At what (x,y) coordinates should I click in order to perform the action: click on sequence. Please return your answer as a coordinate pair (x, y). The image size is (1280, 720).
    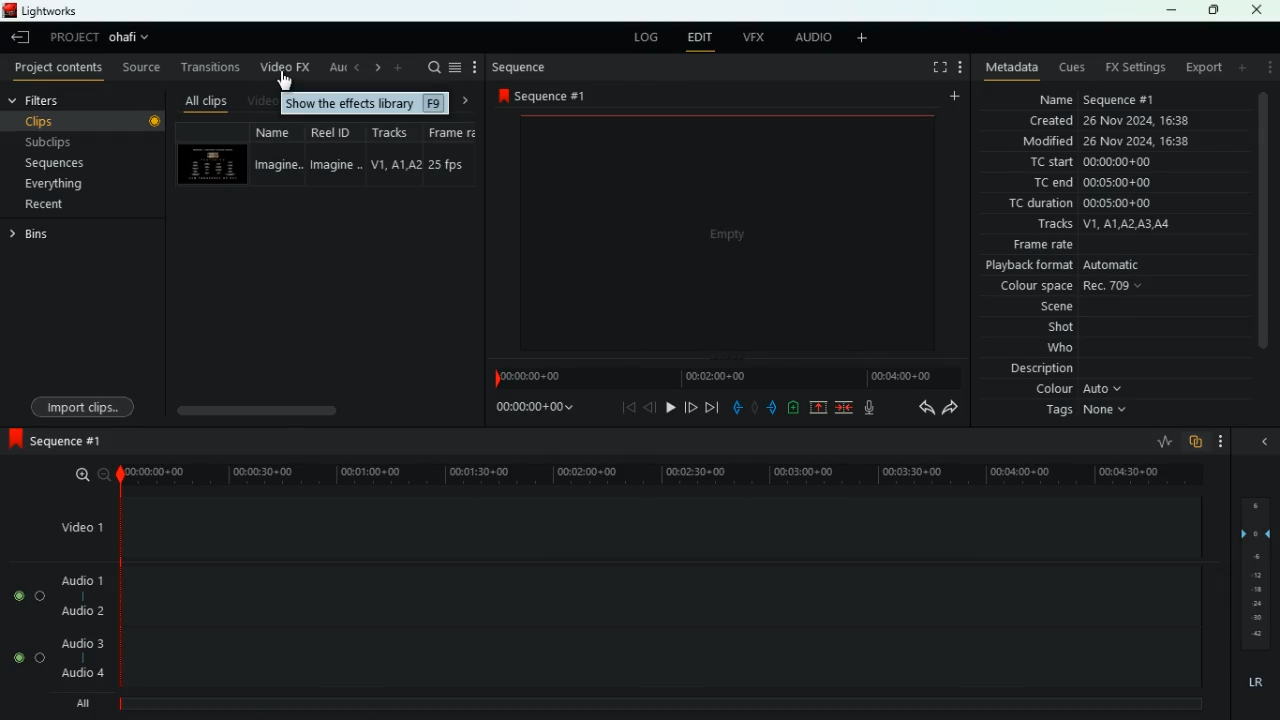
    Looking at the image, I should click on (520, 68).